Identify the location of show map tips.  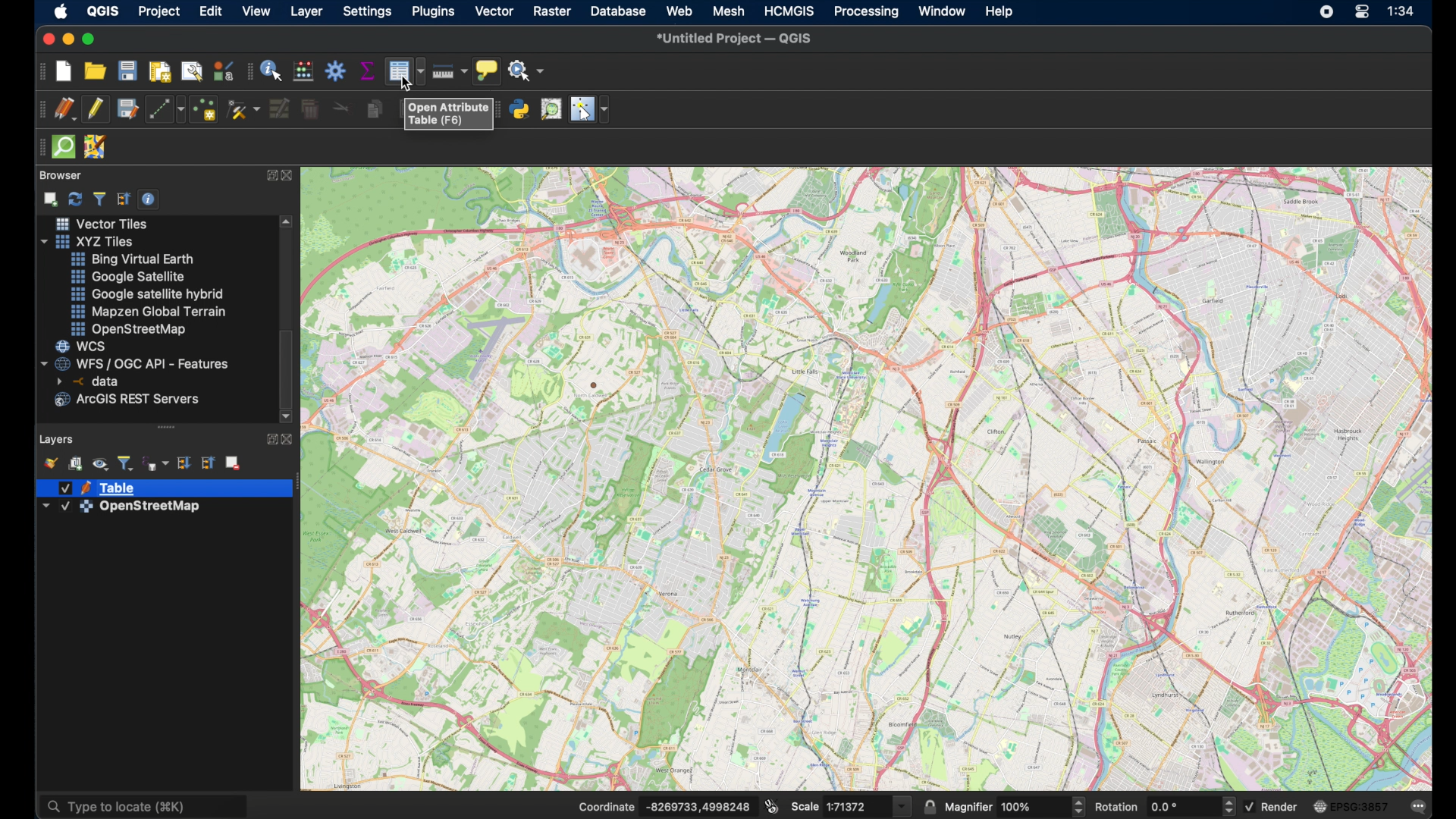
(485, 69).